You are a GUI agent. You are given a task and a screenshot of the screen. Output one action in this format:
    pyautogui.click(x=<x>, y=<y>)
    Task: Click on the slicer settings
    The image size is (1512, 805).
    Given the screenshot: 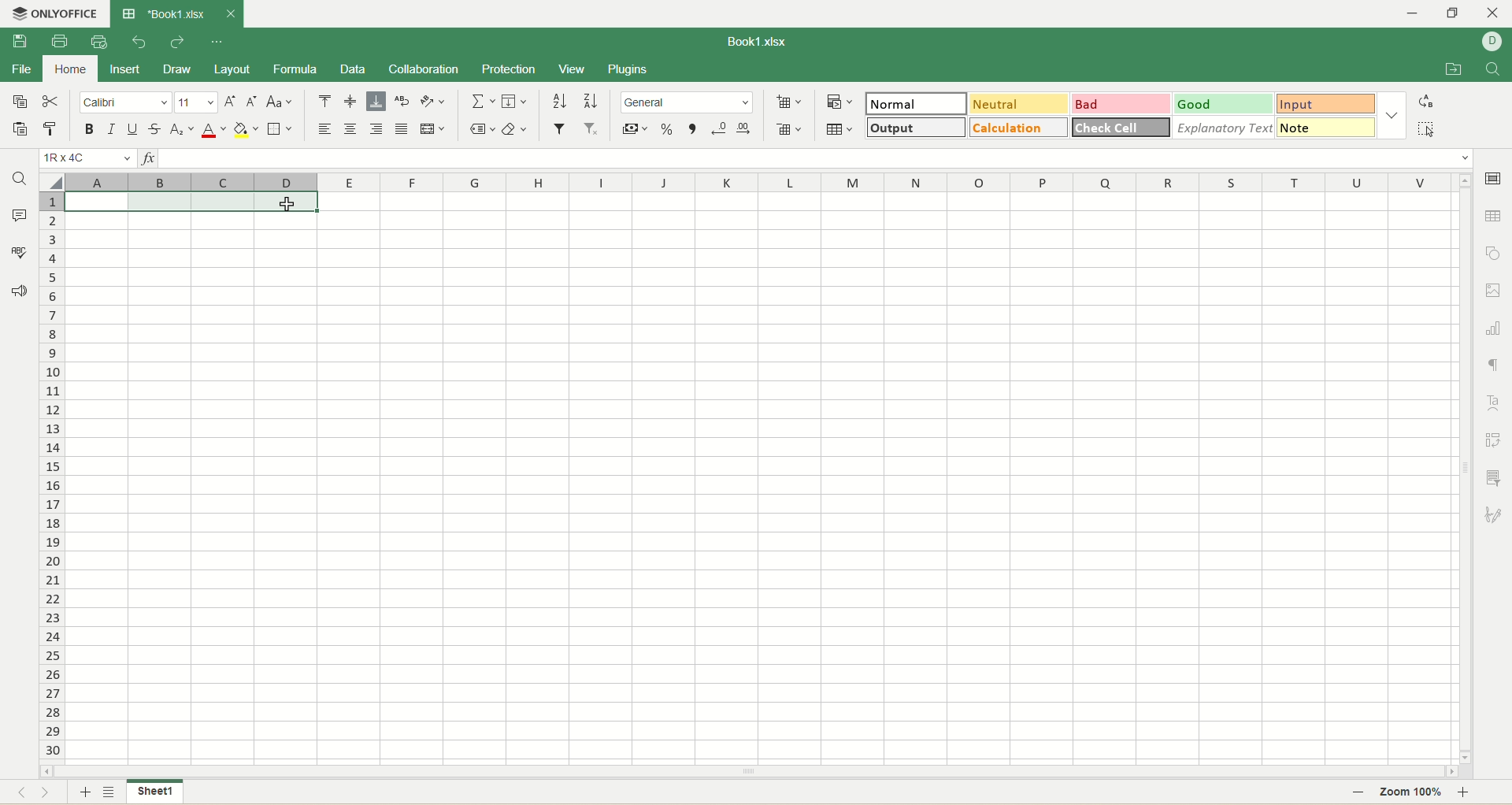 What is the action you would take?
    pyautogui.click(x=1496, y=478)
    